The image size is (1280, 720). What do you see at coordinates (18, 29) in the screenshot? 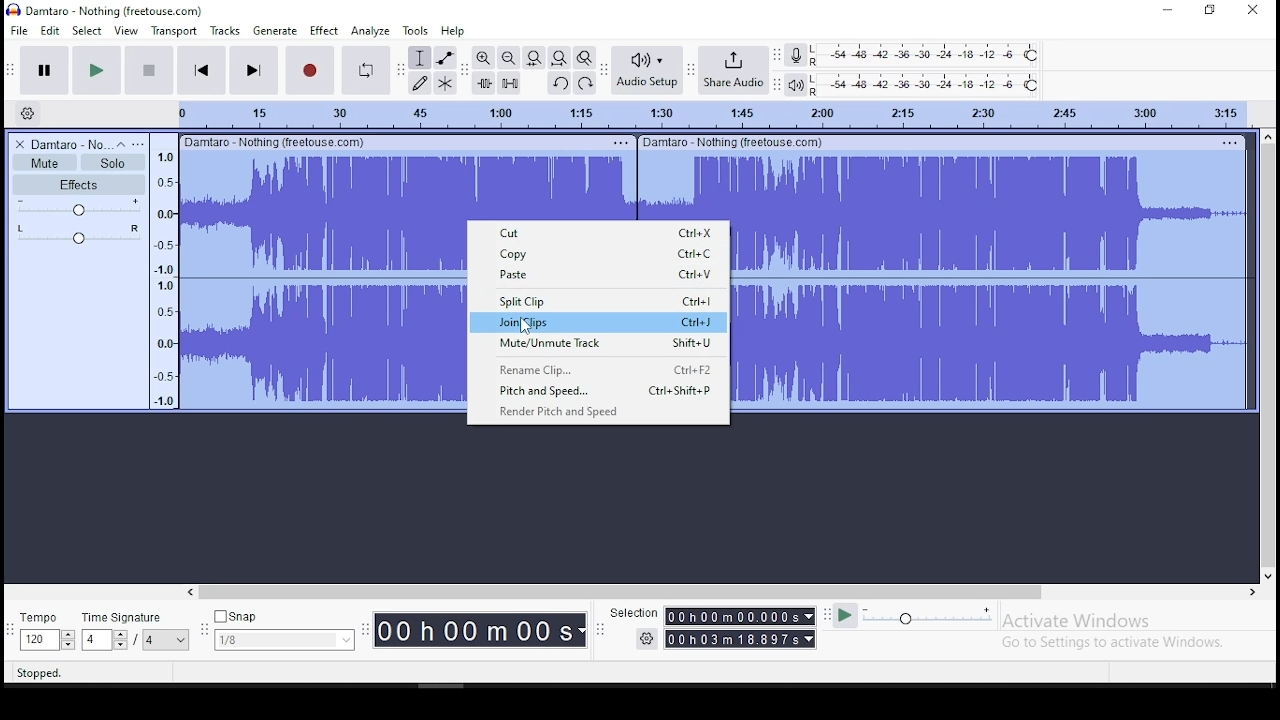
I see `file` at bounding box center [18, 29].